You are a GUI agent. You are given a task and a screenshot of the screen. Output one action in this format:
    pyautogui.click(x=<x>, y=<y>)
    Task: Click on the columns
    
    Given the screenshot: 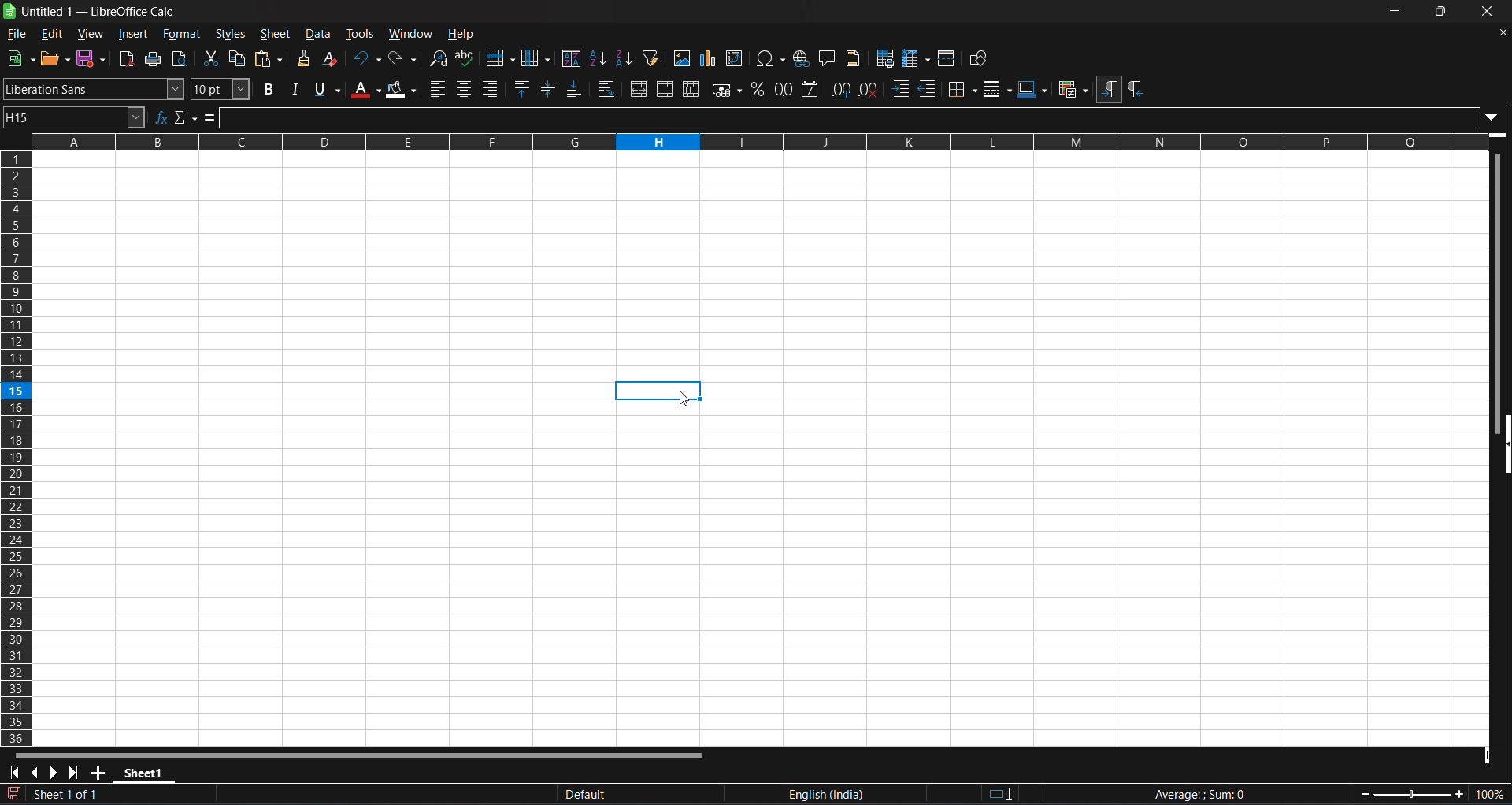 What is the action you would take?
    pyautogui.click(x=18, y=456)
    